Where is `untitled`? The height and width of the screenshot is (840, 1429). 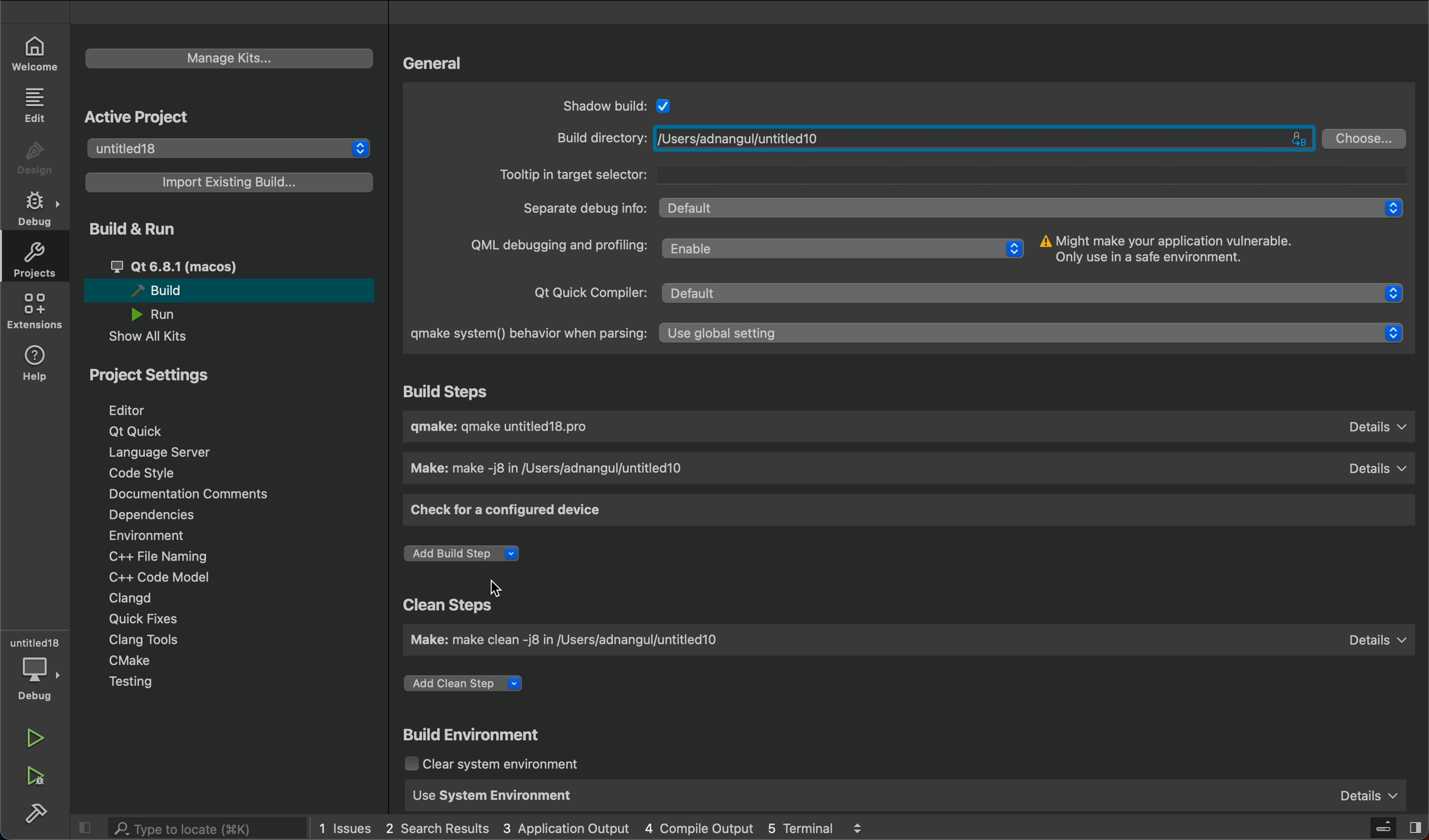
untitled is located at coordinates (32, 641).